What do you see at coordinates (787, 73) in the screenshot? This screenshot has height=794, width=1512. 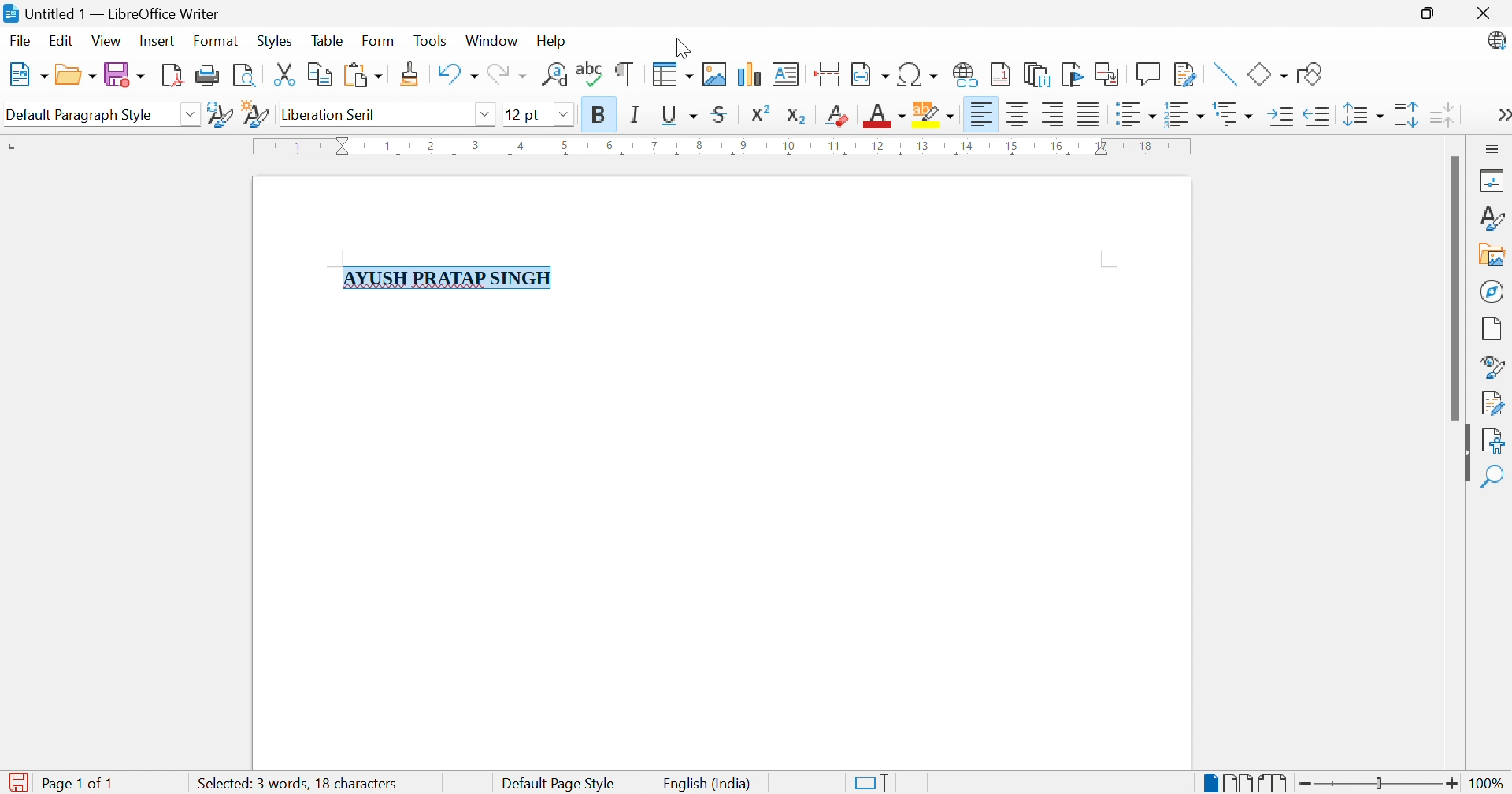 I see `Insert Text Box` at bounding box center [787, 73].